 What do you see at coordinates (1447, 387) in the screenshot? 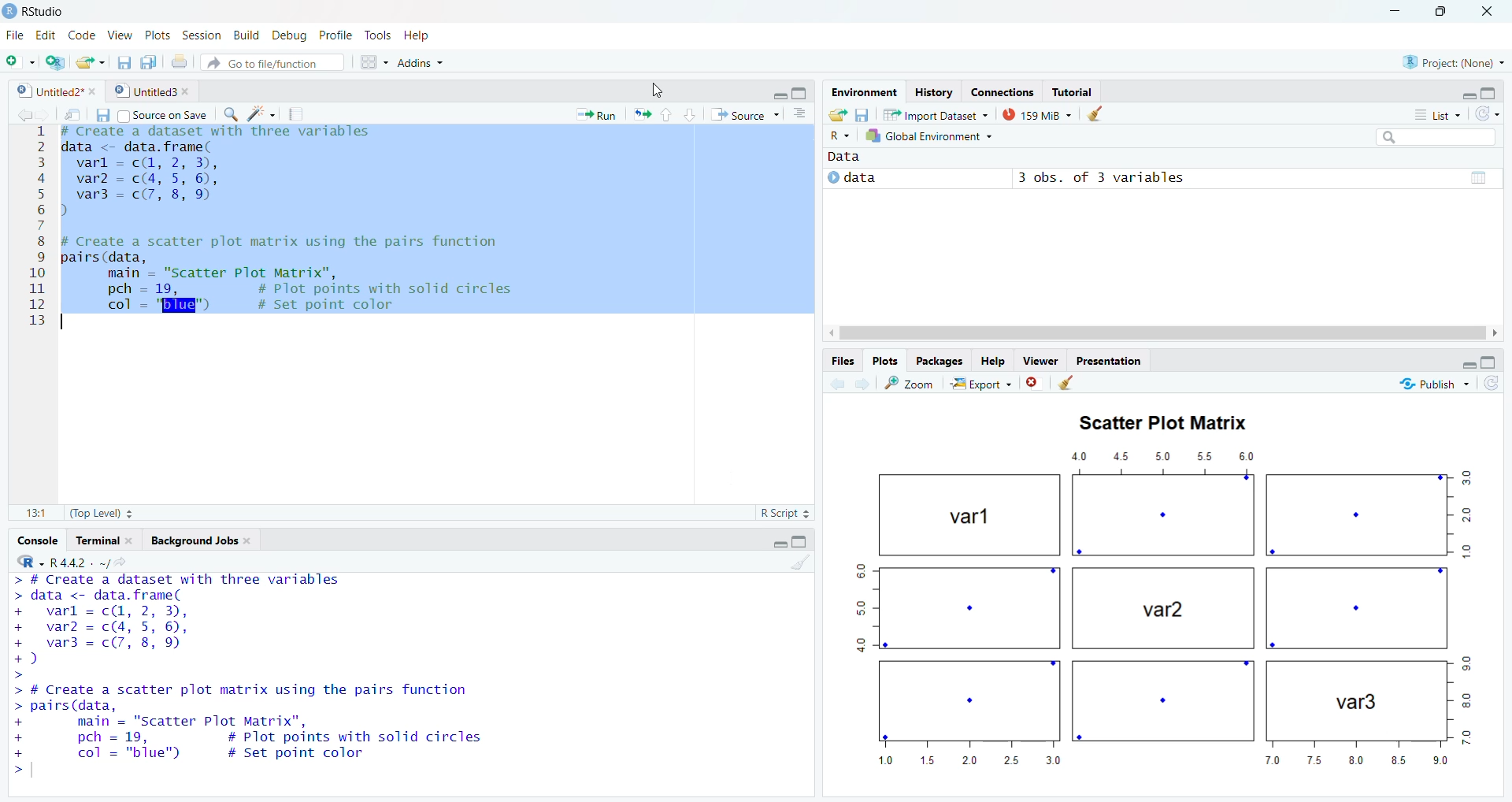
I see `publish` at bounding box center [1447, 387].